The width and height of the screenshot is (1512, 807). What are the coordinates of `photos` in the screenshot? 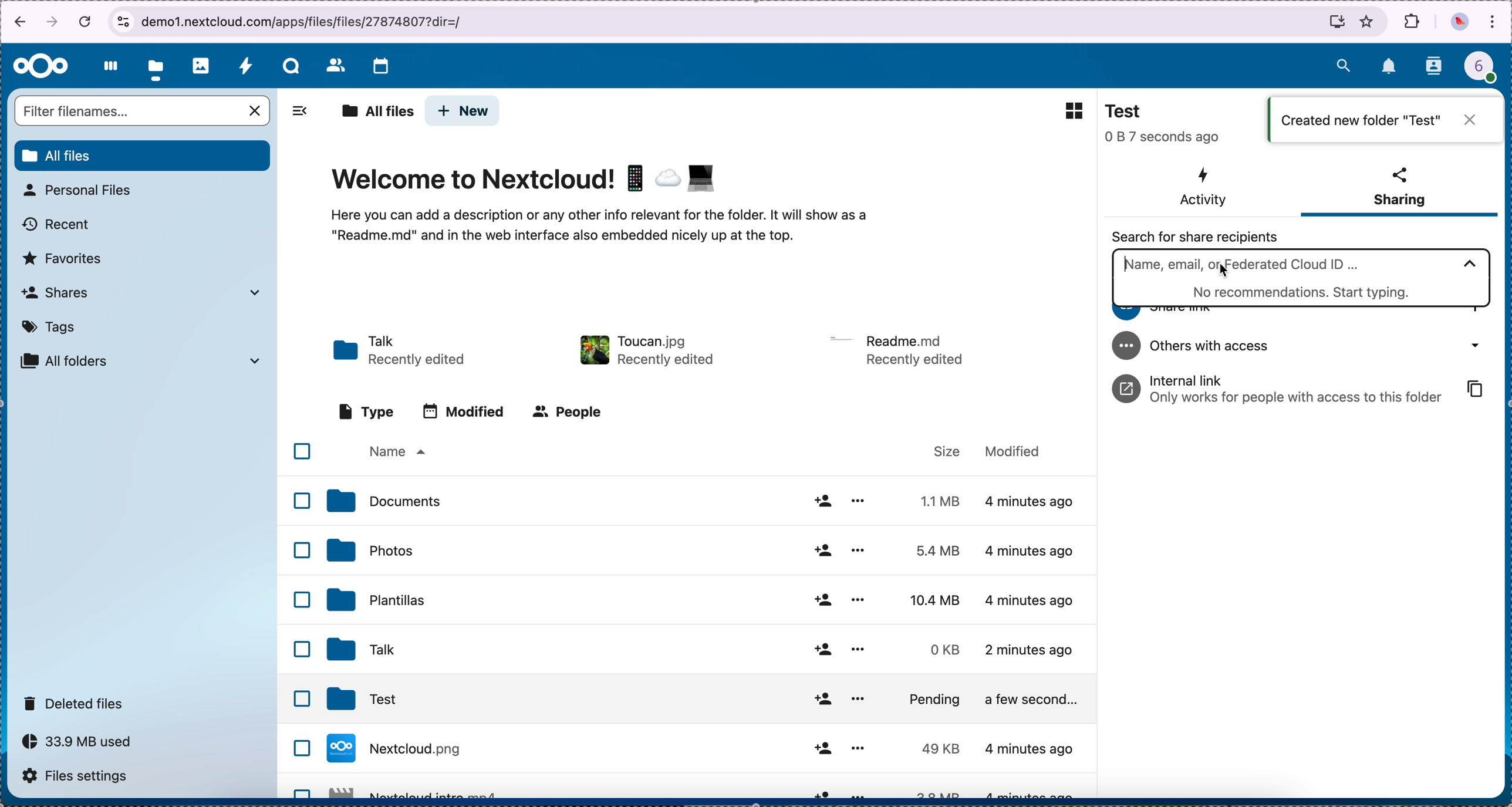 It's located at (201, 66).